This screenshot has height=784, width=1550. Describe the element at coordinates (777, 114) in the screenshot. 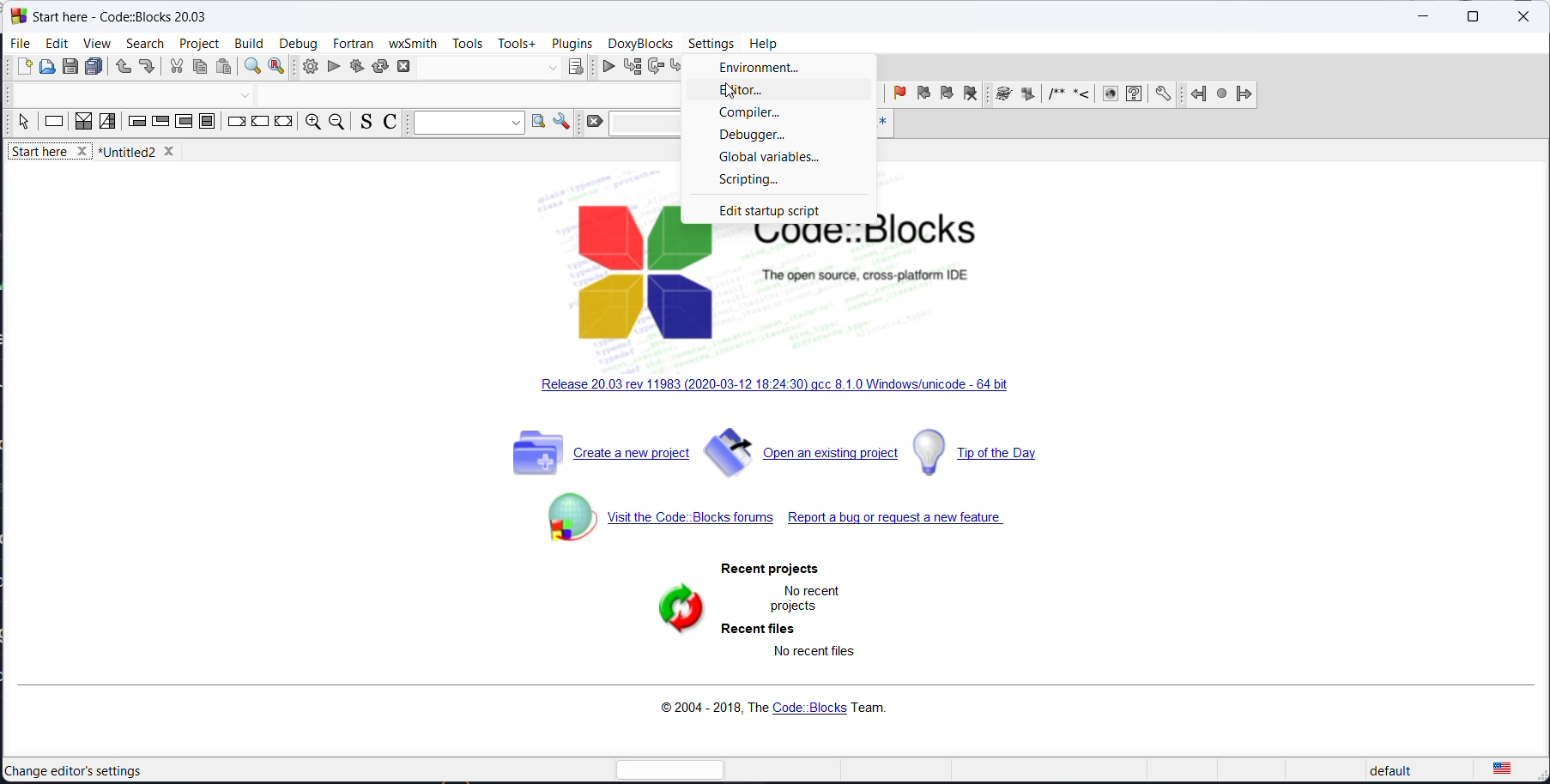

I see `compiler` at that location.